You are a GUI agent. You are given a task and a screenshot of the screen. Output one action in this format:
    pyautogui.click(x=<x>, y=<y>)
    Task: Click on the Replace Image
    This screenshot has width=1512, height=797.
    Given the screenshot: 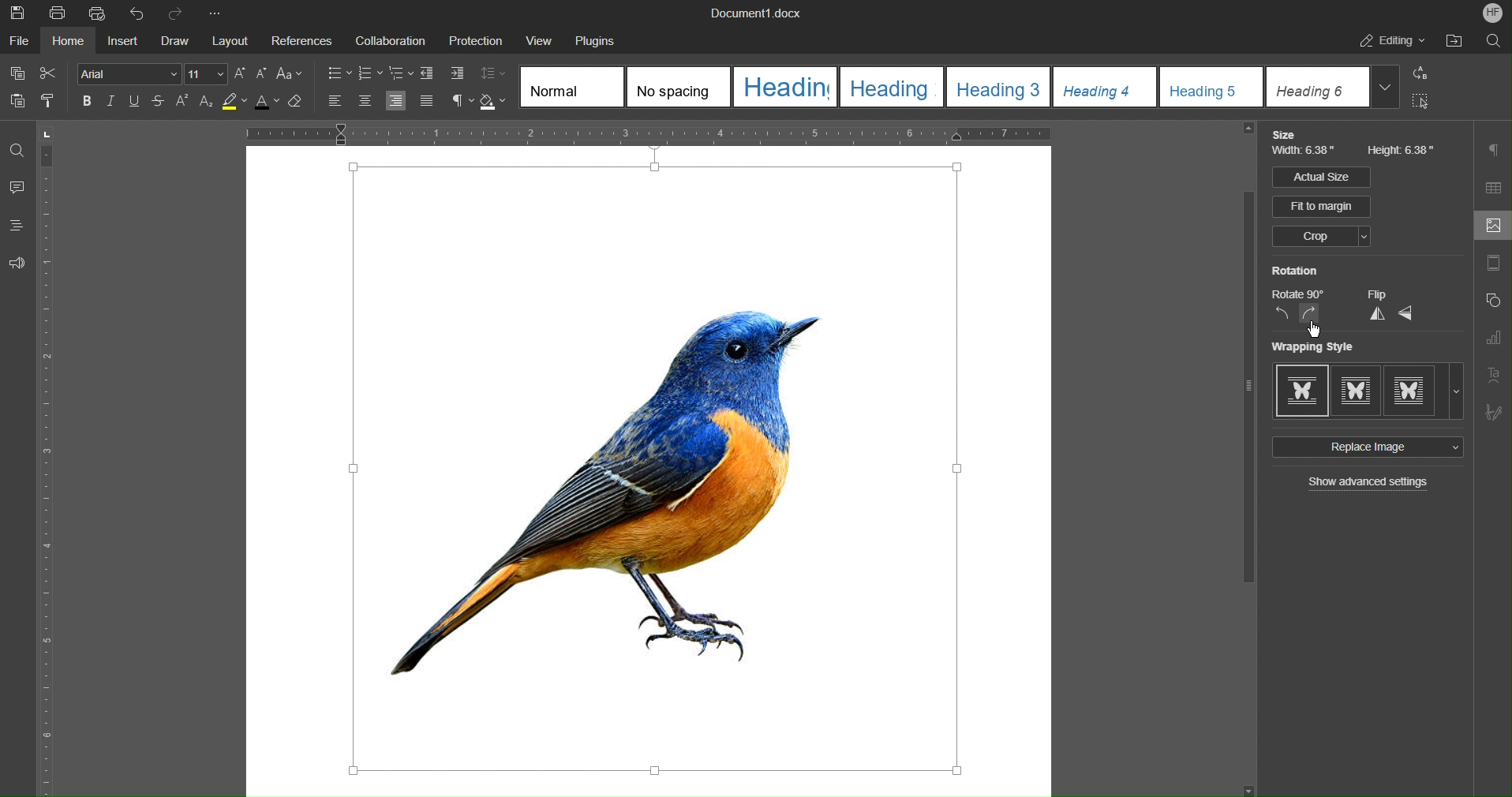 What is the action you would take?
    pyautogui.click(x=1281, y=449)
    